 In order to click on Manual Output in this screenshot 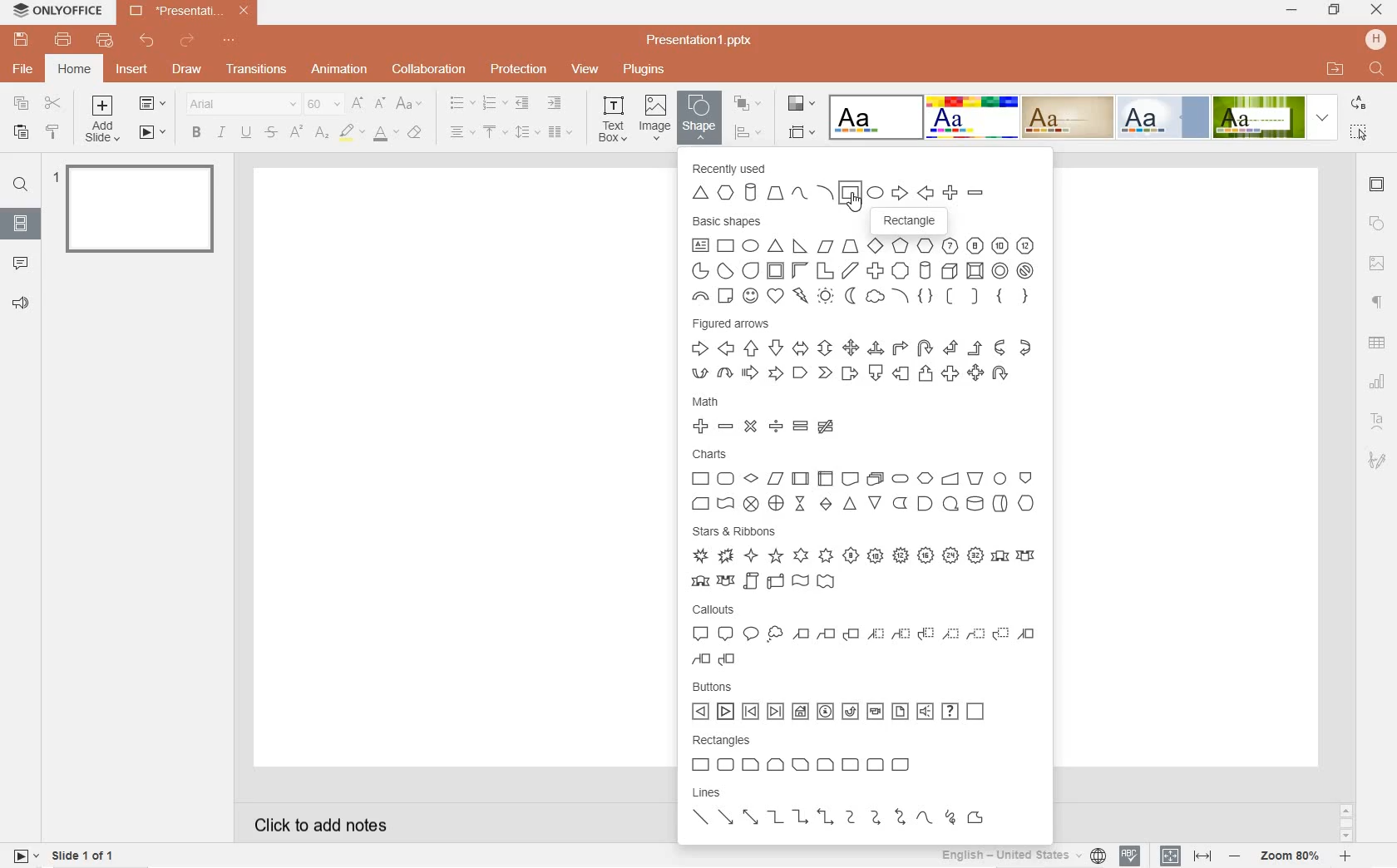, I will do `click(976, 481)`.